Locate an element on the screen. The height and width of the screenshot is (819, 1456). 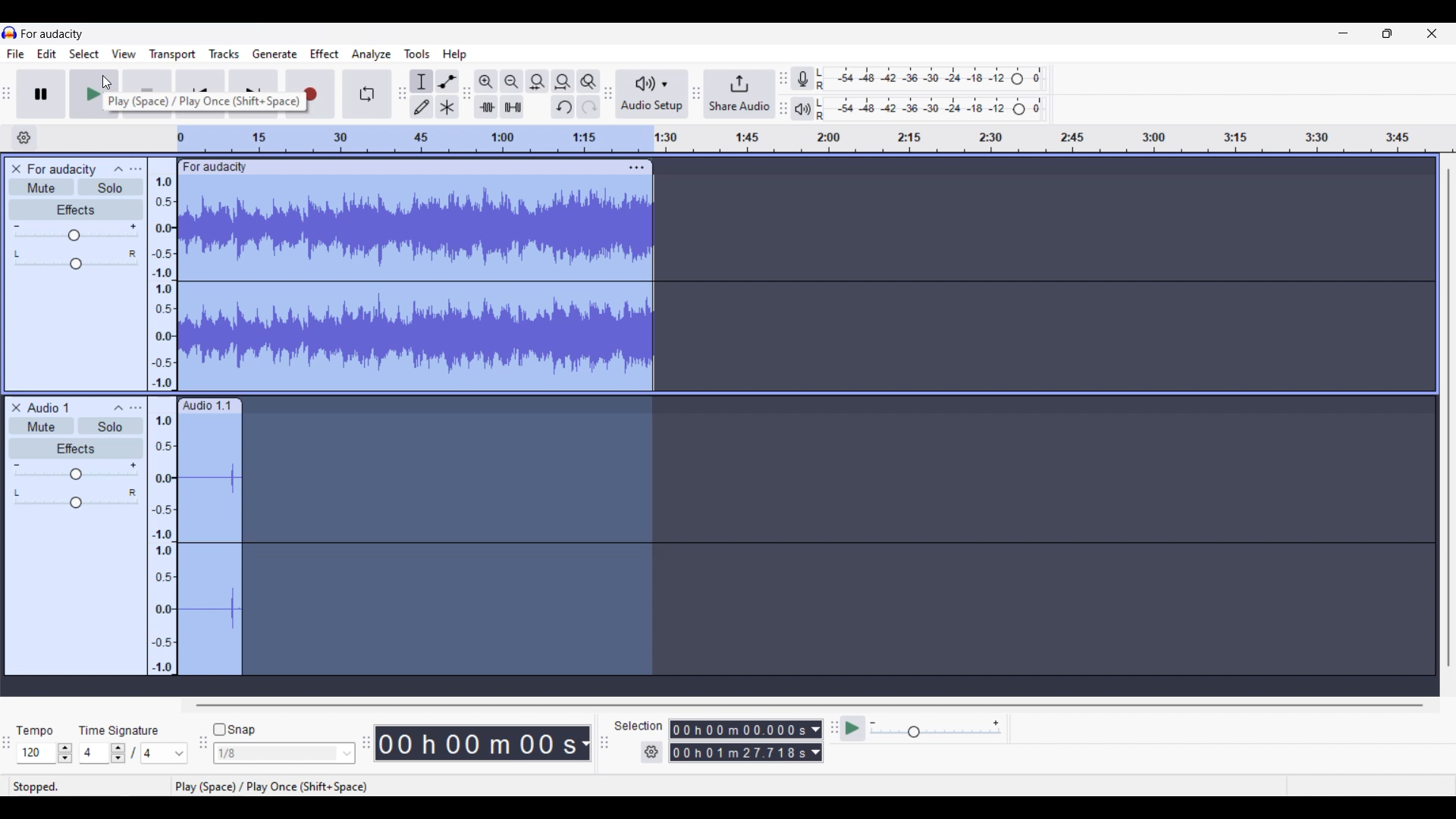
Selection tool is located at coordinates (422, 82).